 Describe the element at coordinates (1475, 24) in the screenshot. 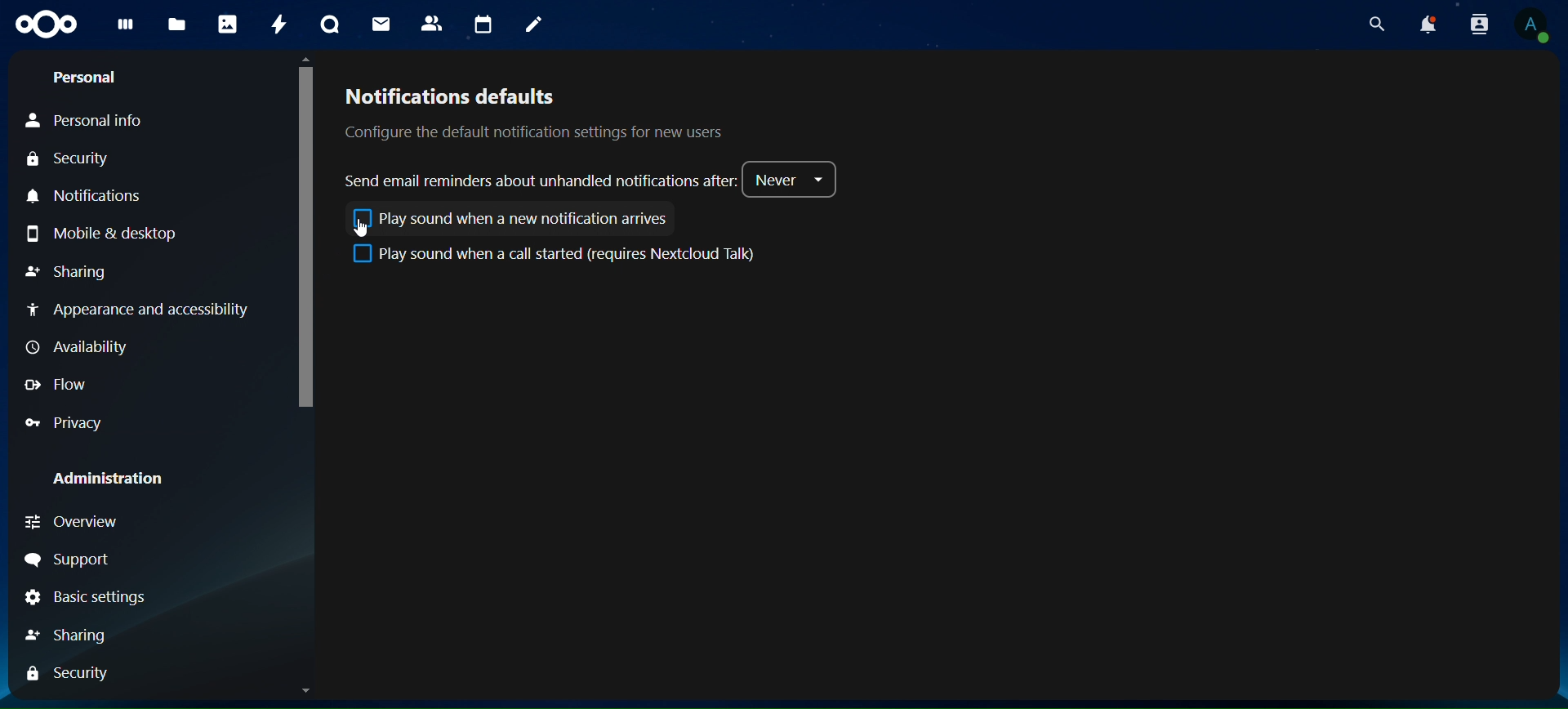

I see `search contacts` at that location.